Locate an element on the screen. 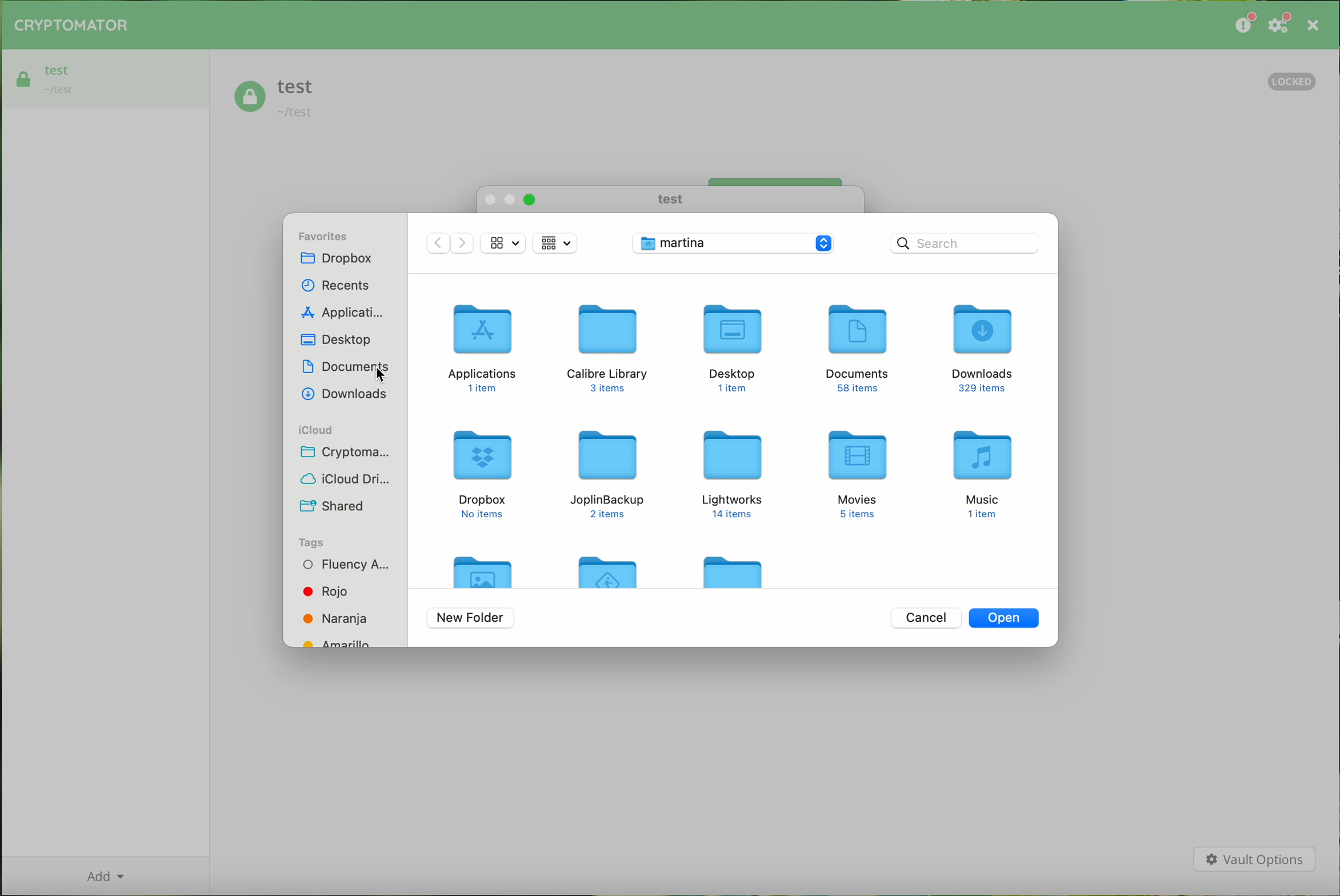 Image resolution: width=1340 pixels, height=896 pixels. folder is located at coordinates (733, 570).